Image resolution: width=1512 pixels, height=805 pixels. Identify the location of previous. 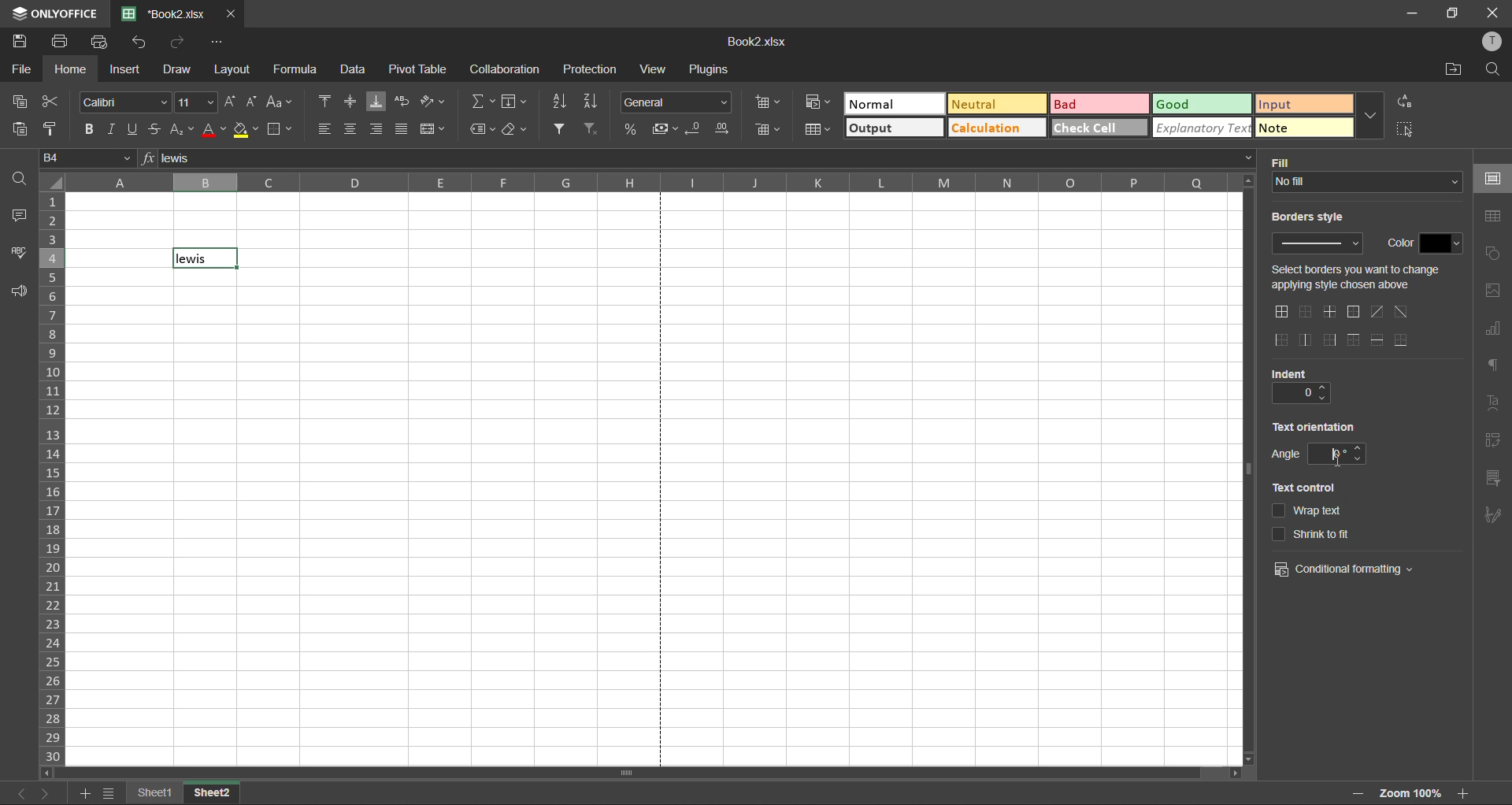
(22, 792).